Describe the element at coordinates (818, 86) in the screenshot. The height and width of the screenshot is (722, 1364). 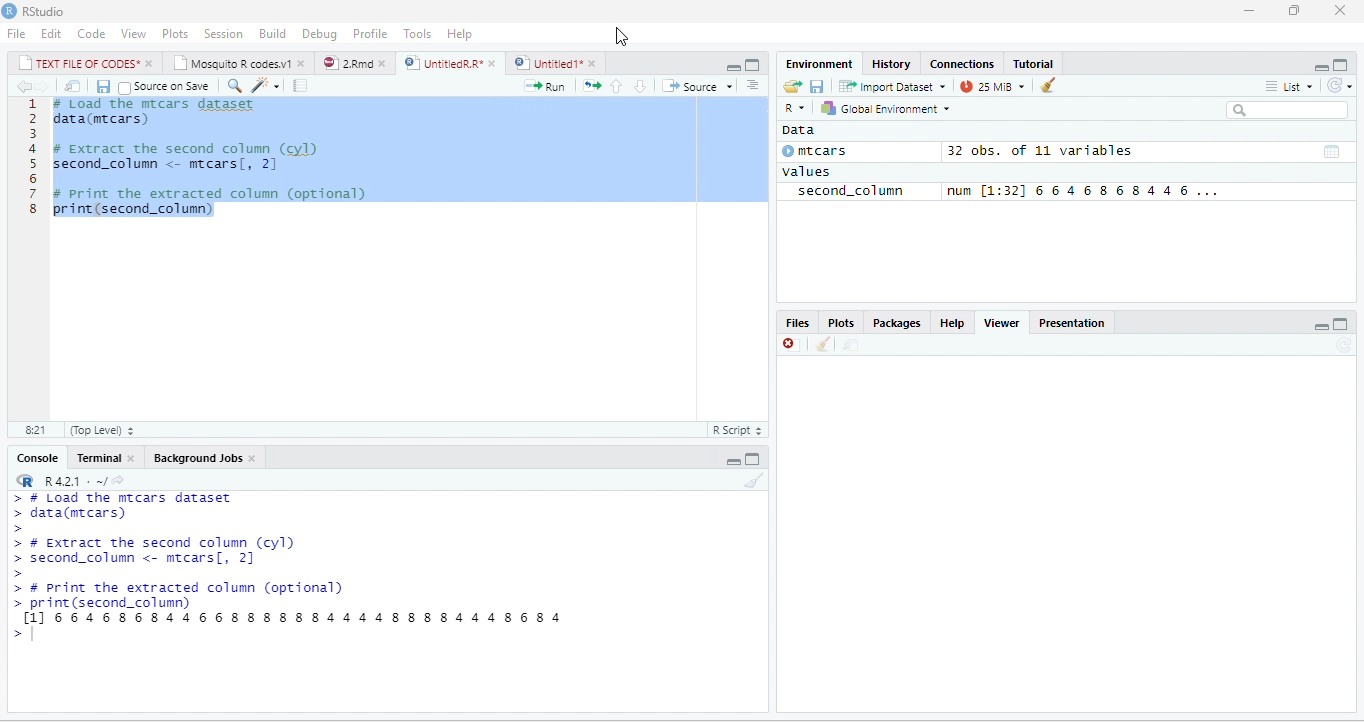
I see `save ` at that location.